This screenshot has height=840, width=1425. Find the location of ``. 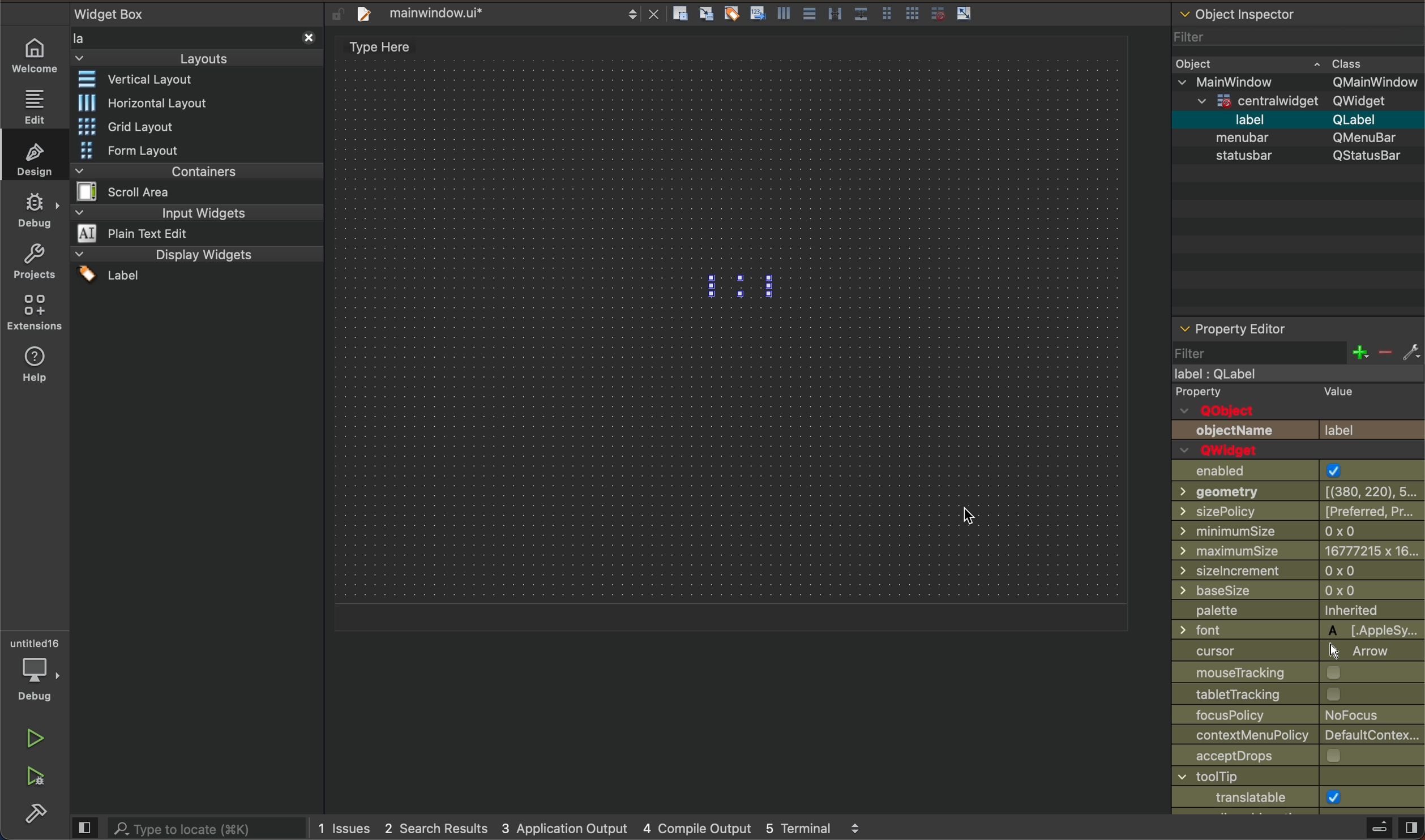

 is located at coordinates (1298, 674).